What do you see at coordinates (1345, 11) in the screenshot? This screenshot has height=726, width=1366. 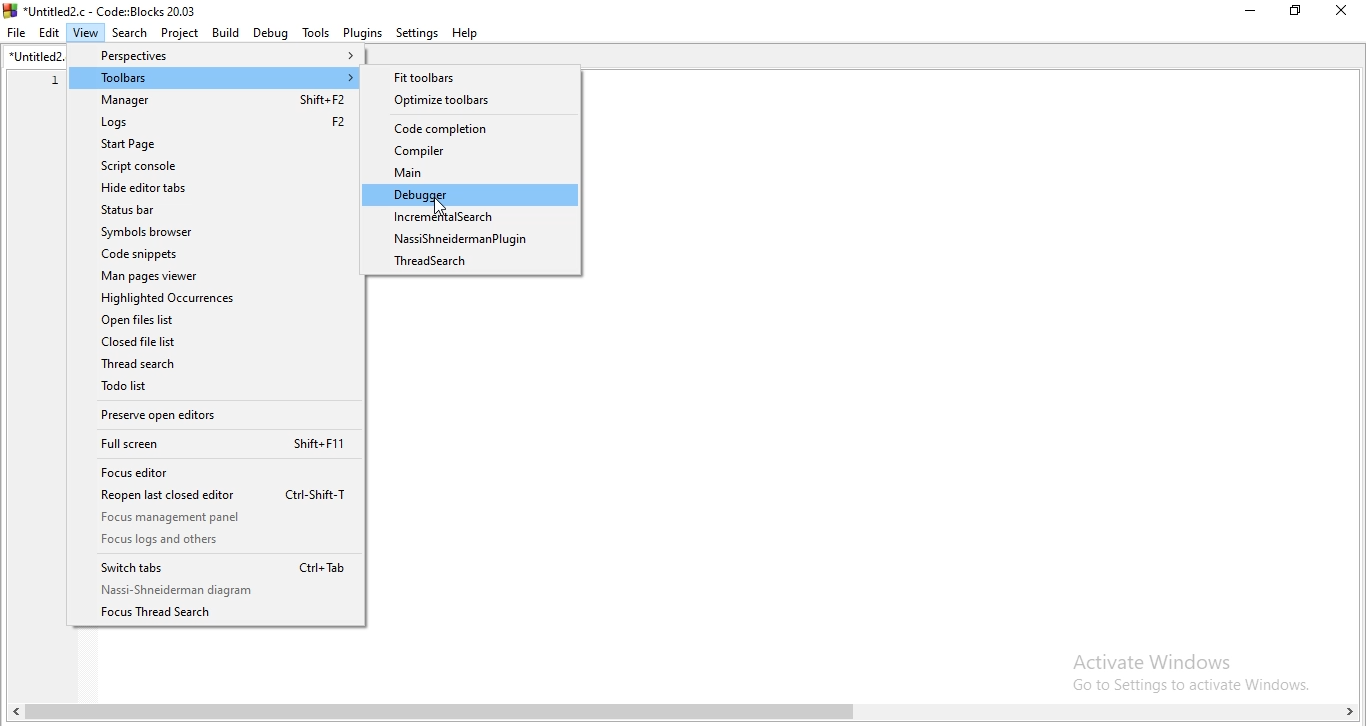 I see `close` at bounding box center [1345, 11].